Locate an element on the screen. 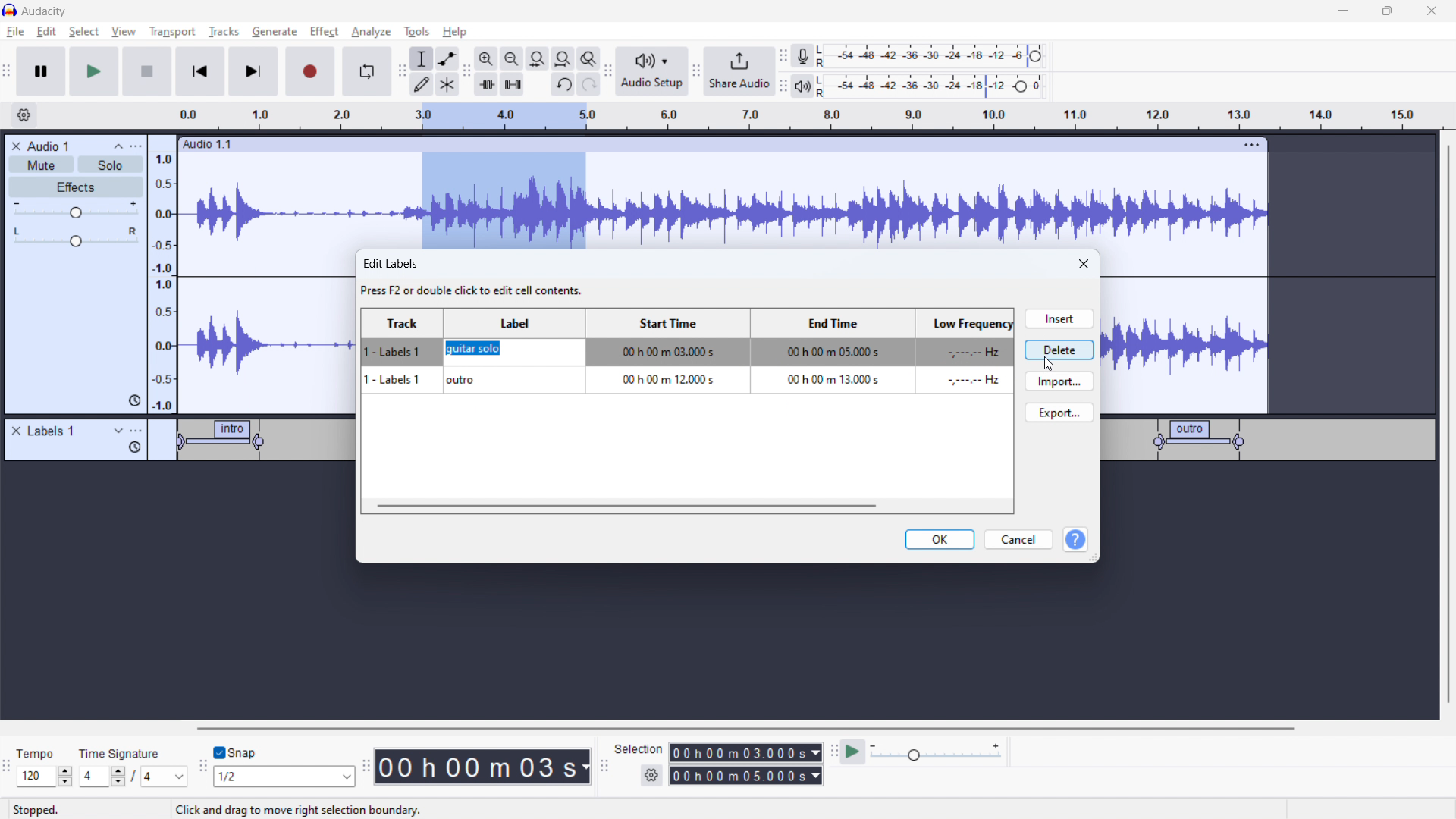  selection end time is located at coordinates (747, 776).